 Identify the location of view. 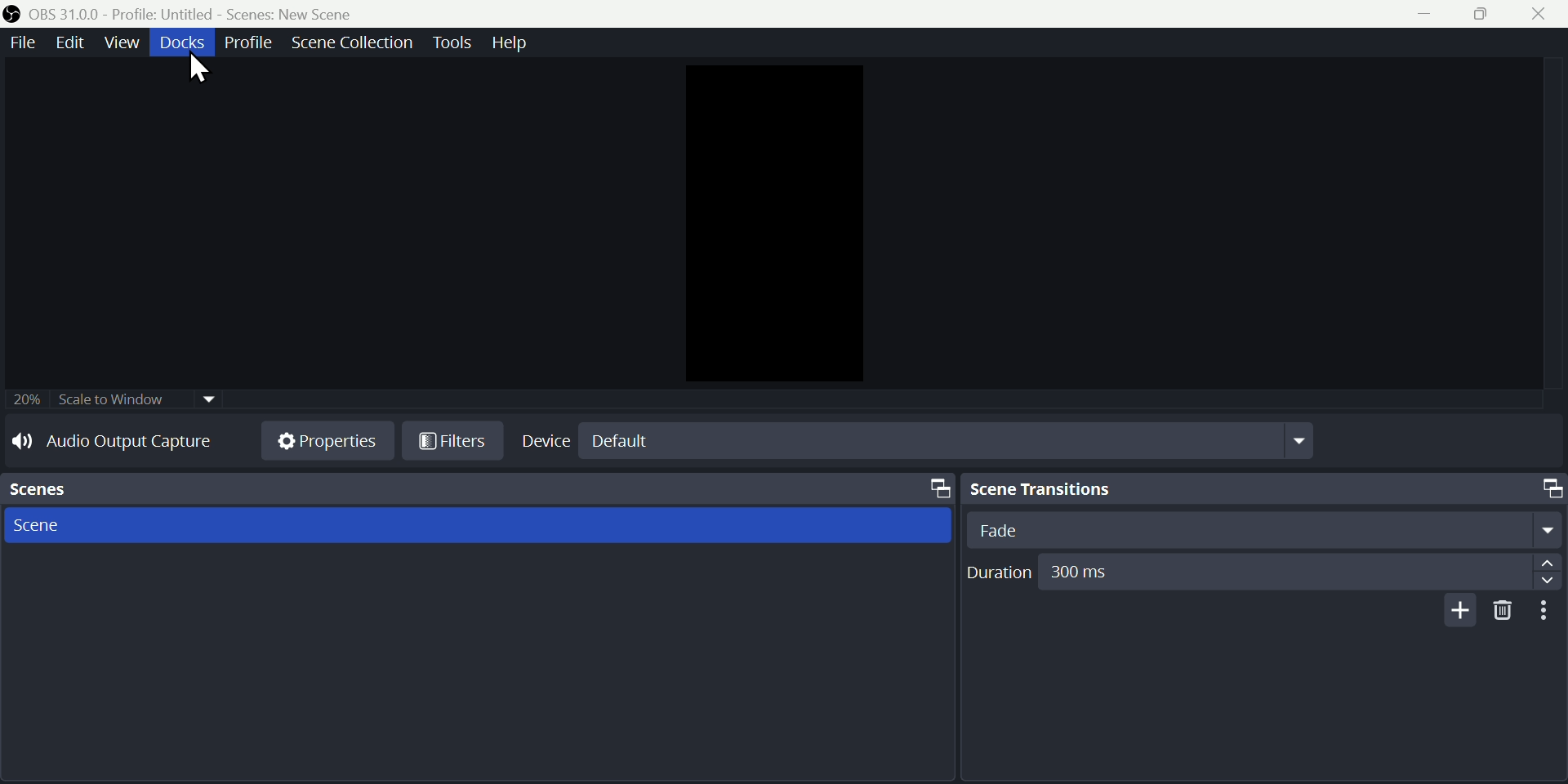
(127, 42).